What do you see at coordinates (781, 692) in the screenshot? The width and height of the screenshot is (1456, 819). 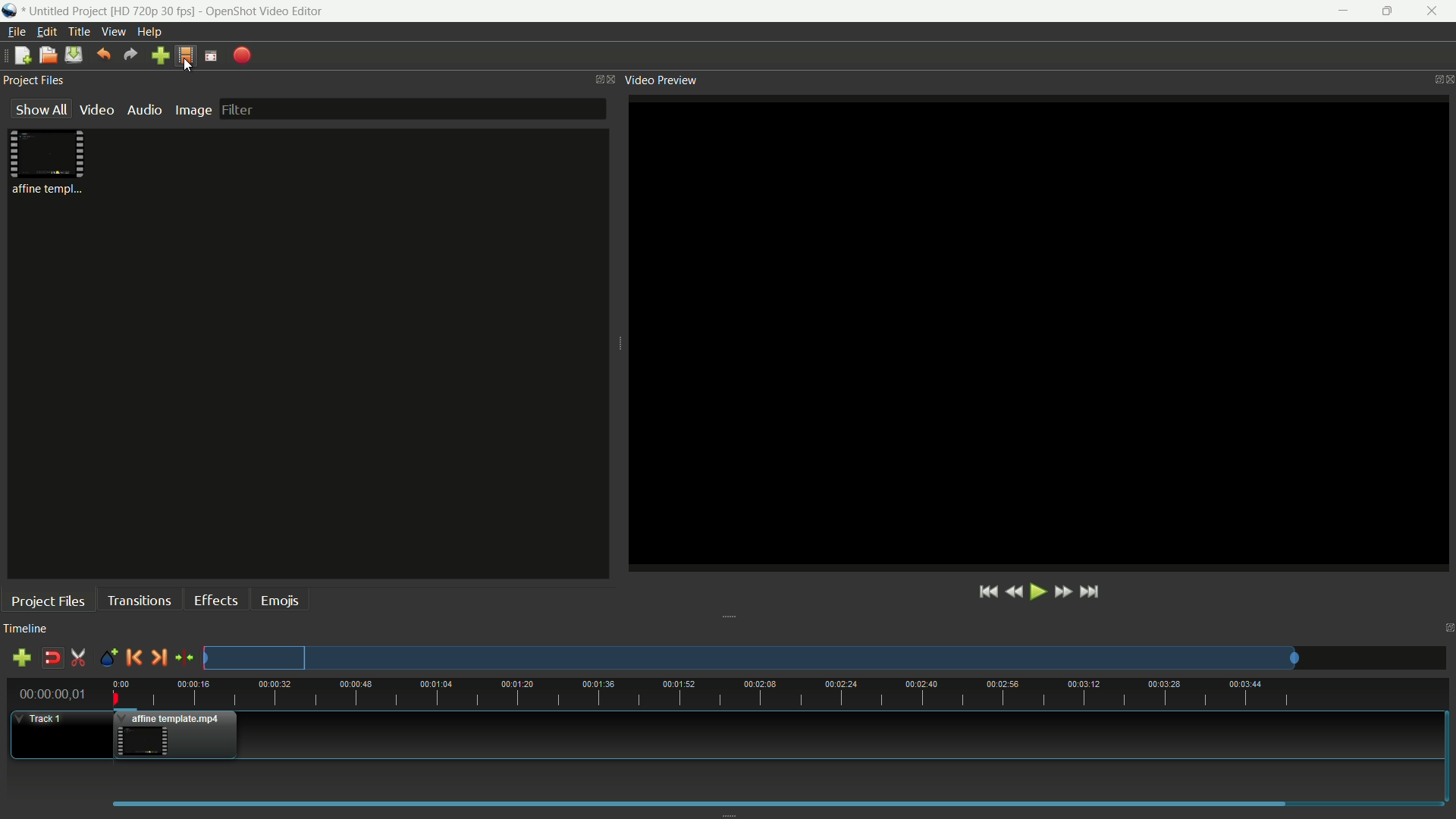 I see `time` at bounding box center [781, 692].